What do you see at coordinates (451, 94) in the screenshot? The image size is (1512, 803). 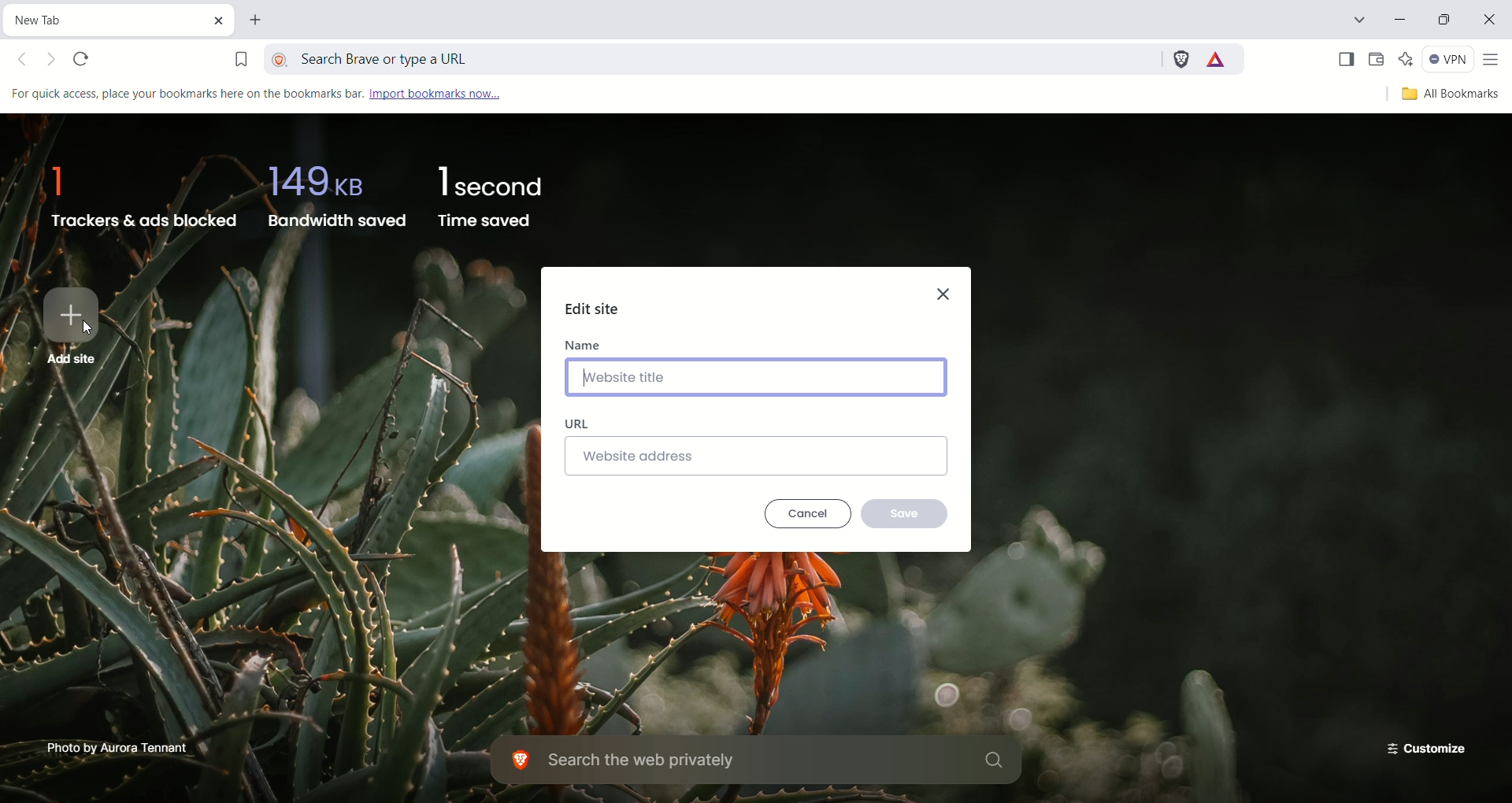 I see `import bookmarks now` at bounding box center [451, 94].